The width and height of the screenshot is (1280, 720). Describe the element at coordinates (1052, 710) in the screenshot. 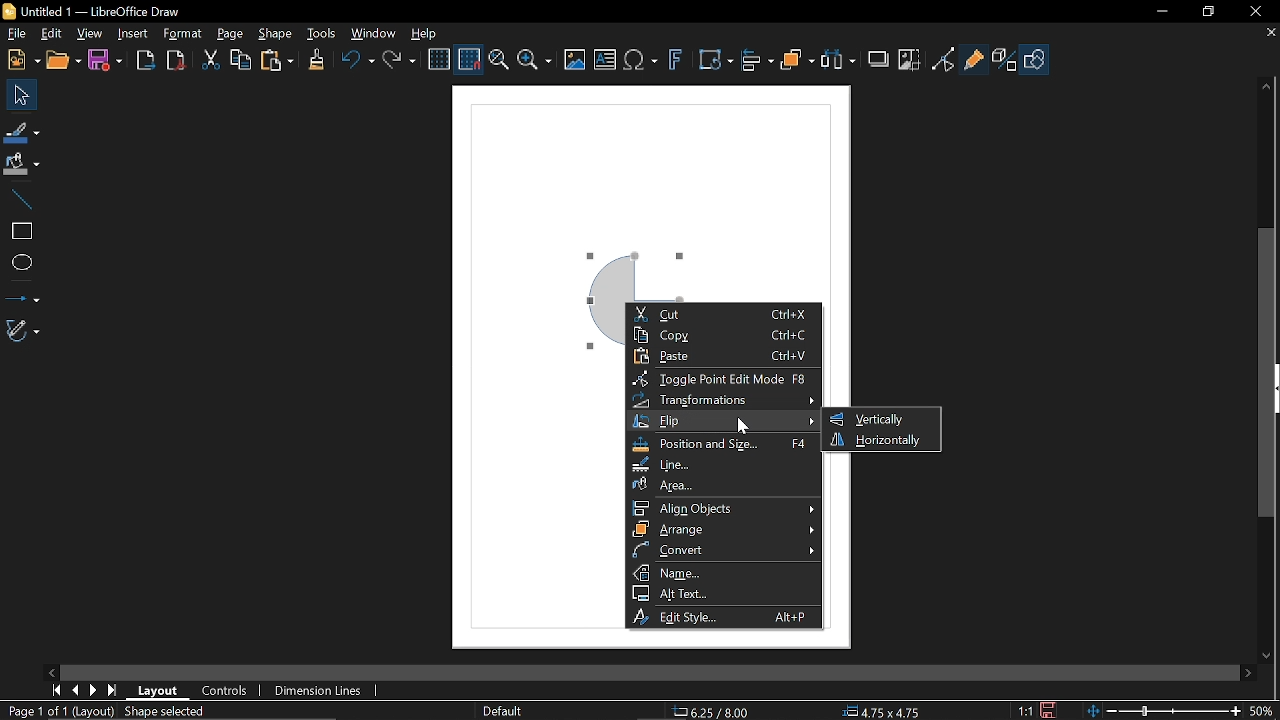

I see `Save` at that location.